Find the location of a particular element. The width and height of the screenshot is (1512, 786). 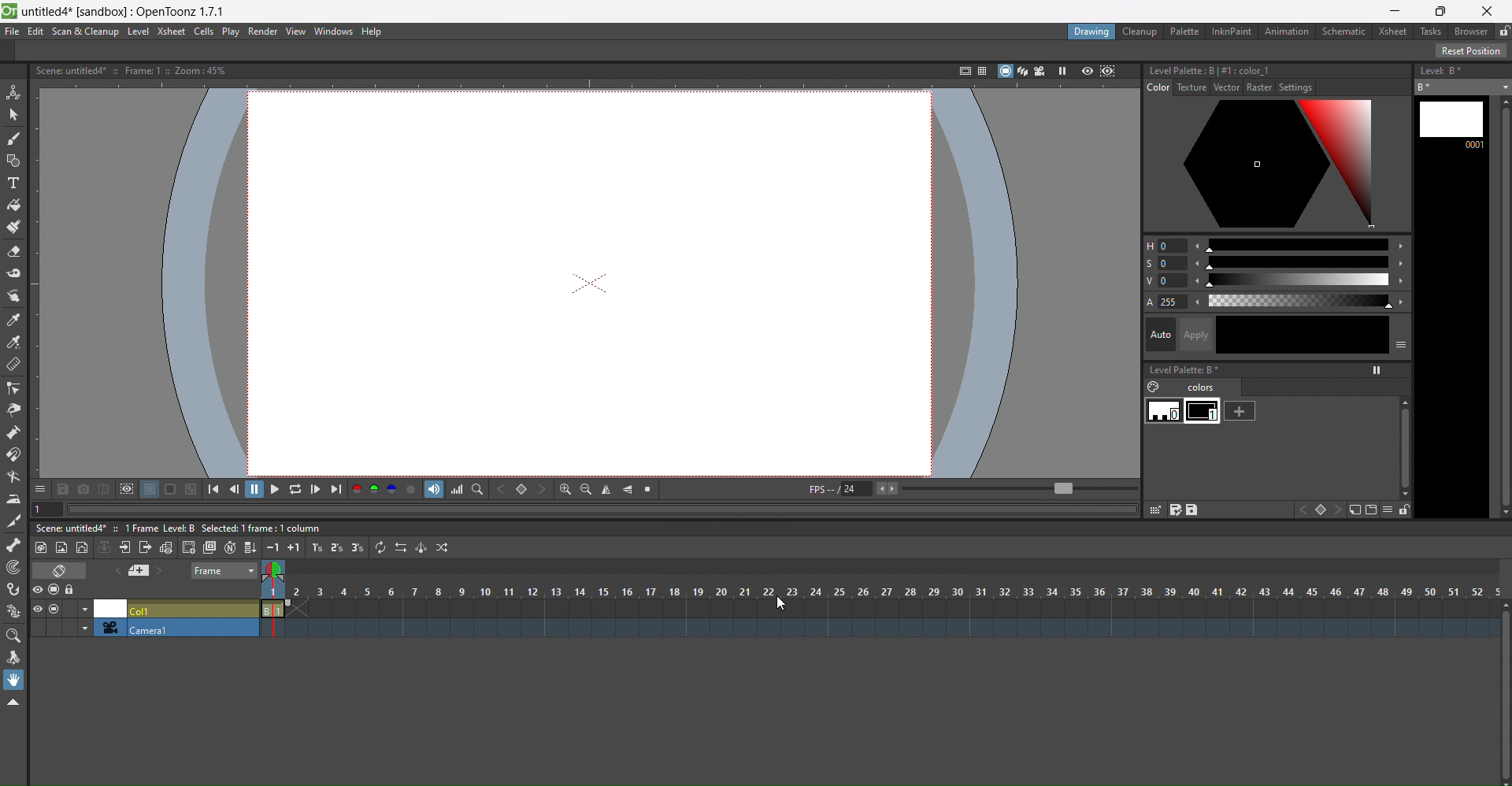

auto input cell number is located at coordinates (230, 547).